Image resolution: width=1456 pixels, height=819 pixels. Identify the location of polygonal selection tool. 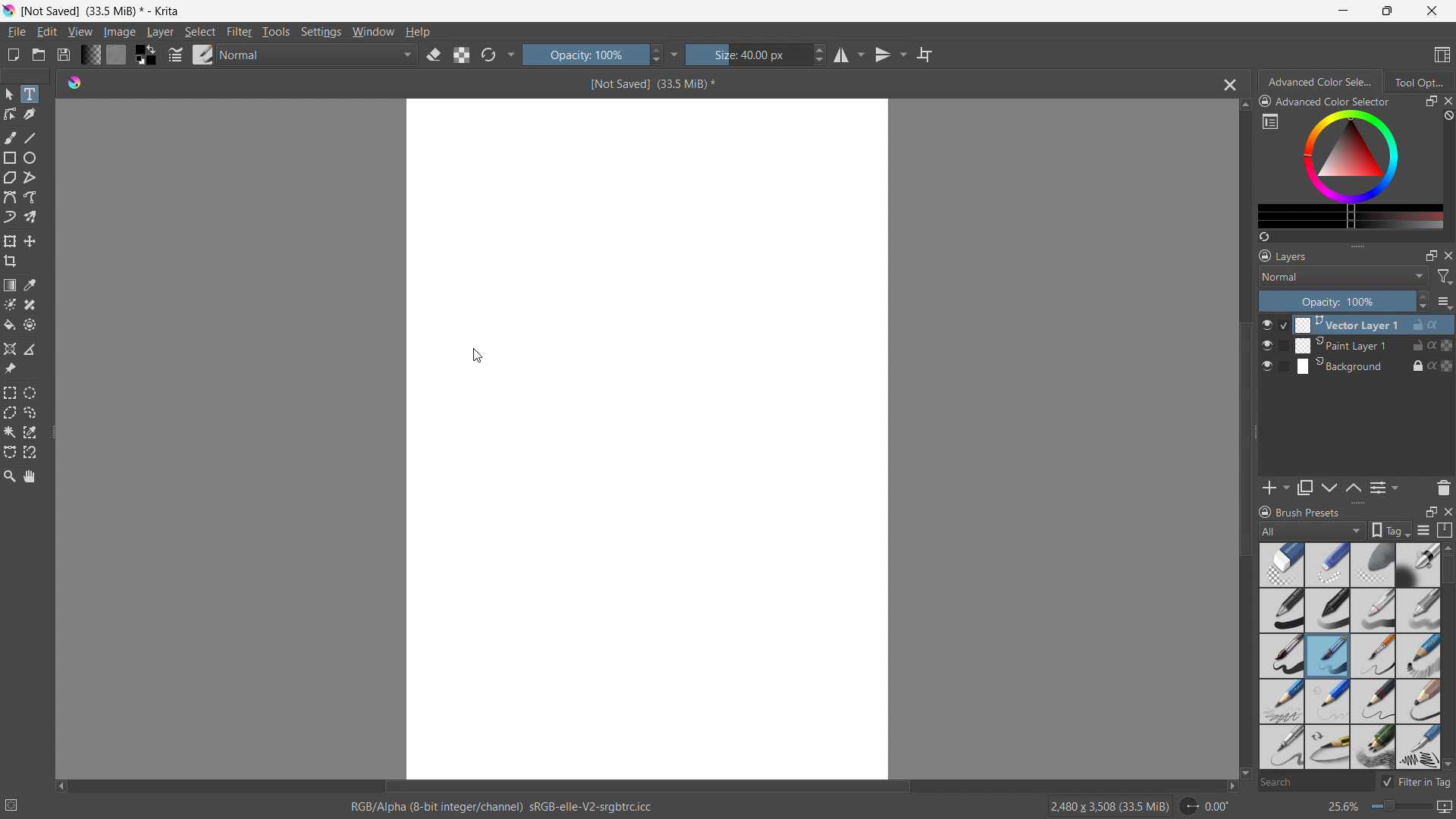
(10, 413).